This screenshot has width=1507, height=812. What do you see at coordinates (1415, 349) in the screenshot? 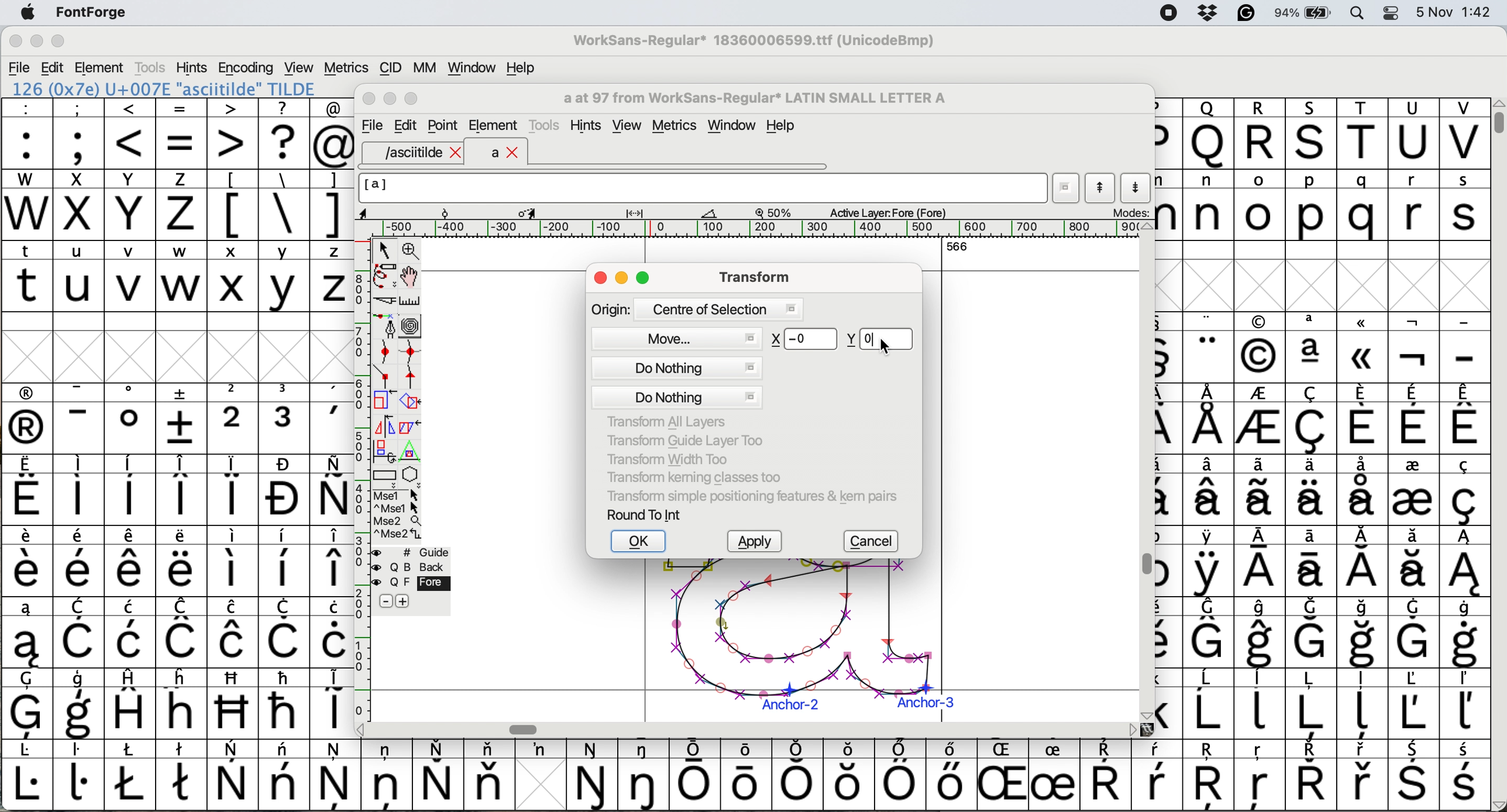
I see `symbol` at bounding box center [1415, 349].